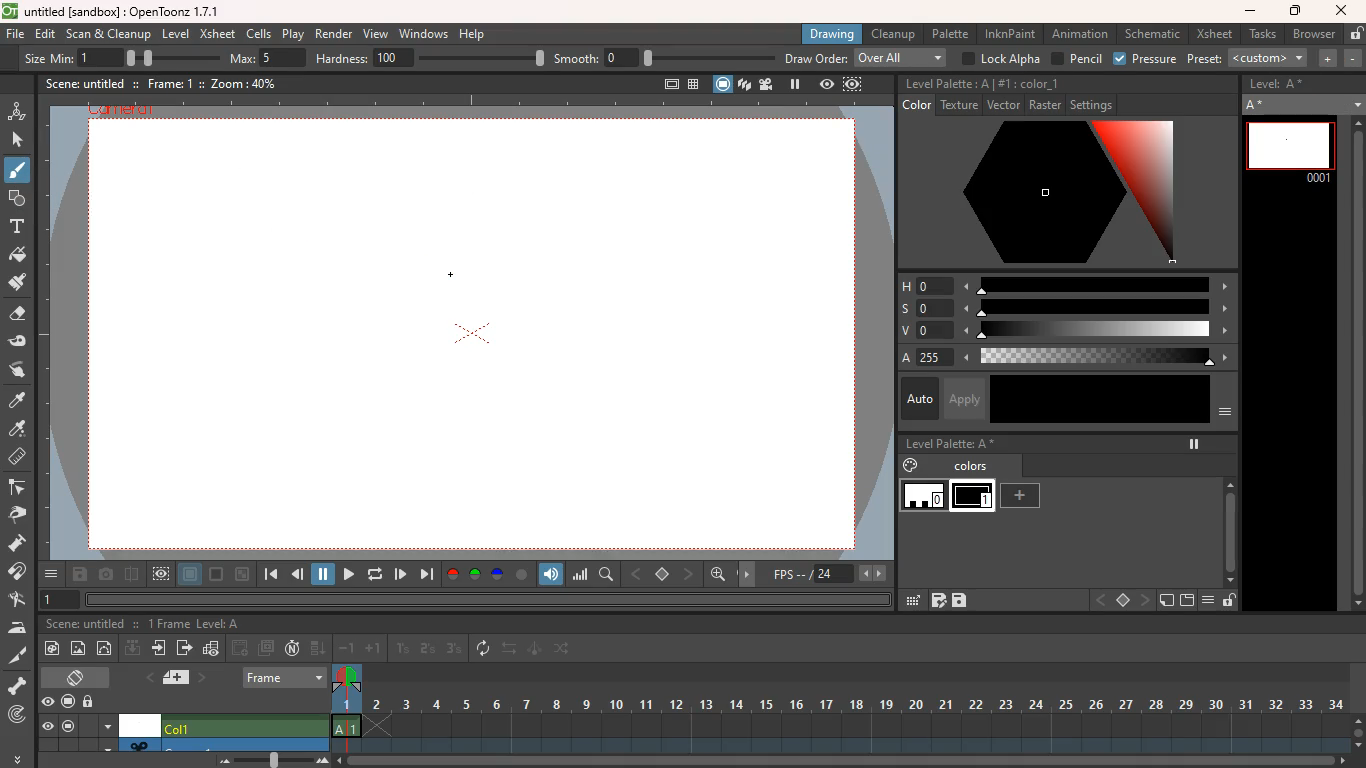  Describe the element at coordinates (690, 573) in the screenshot. I see `front` at that location.